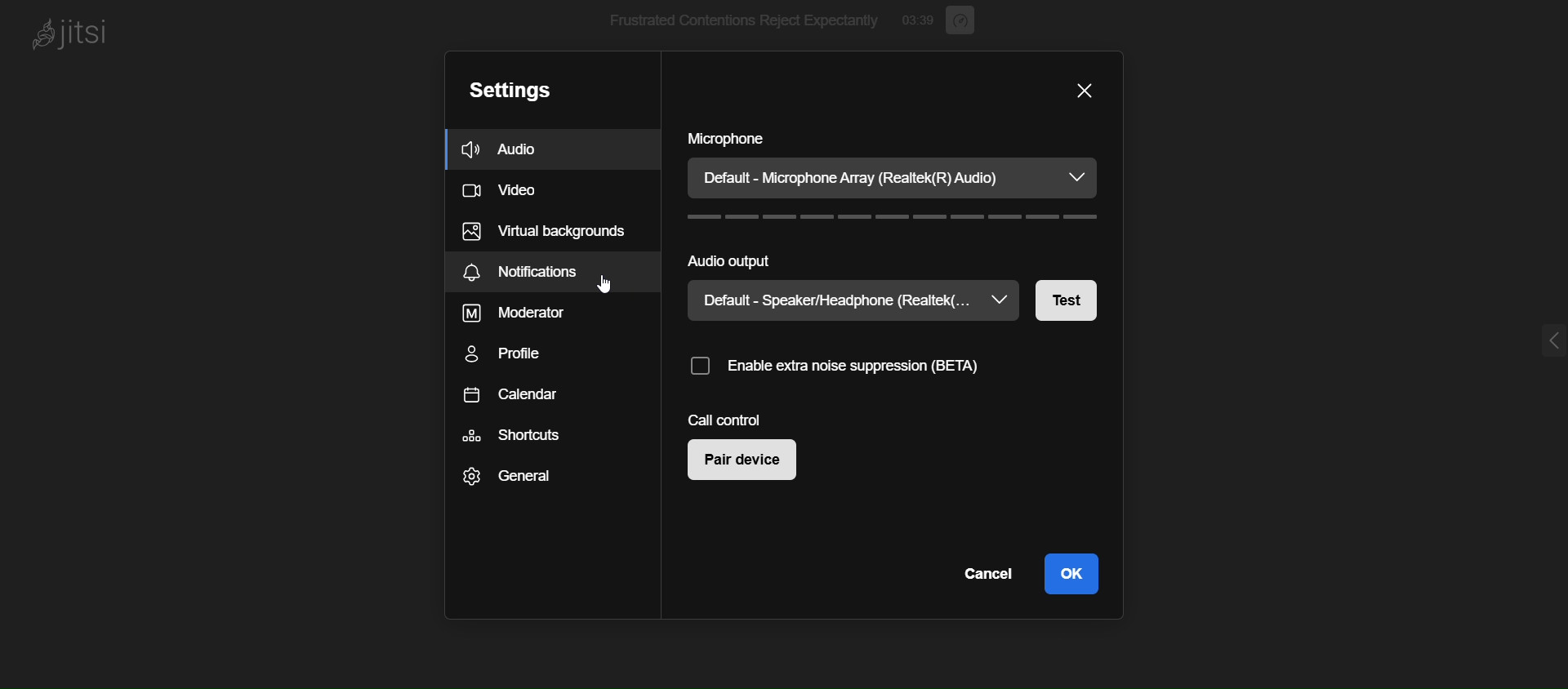 The height and width of the screenshot is (689, 1568). What do you see at coordinates (510, 353) in the screenshot?
I see `profile` at bounding box center [510, 353].